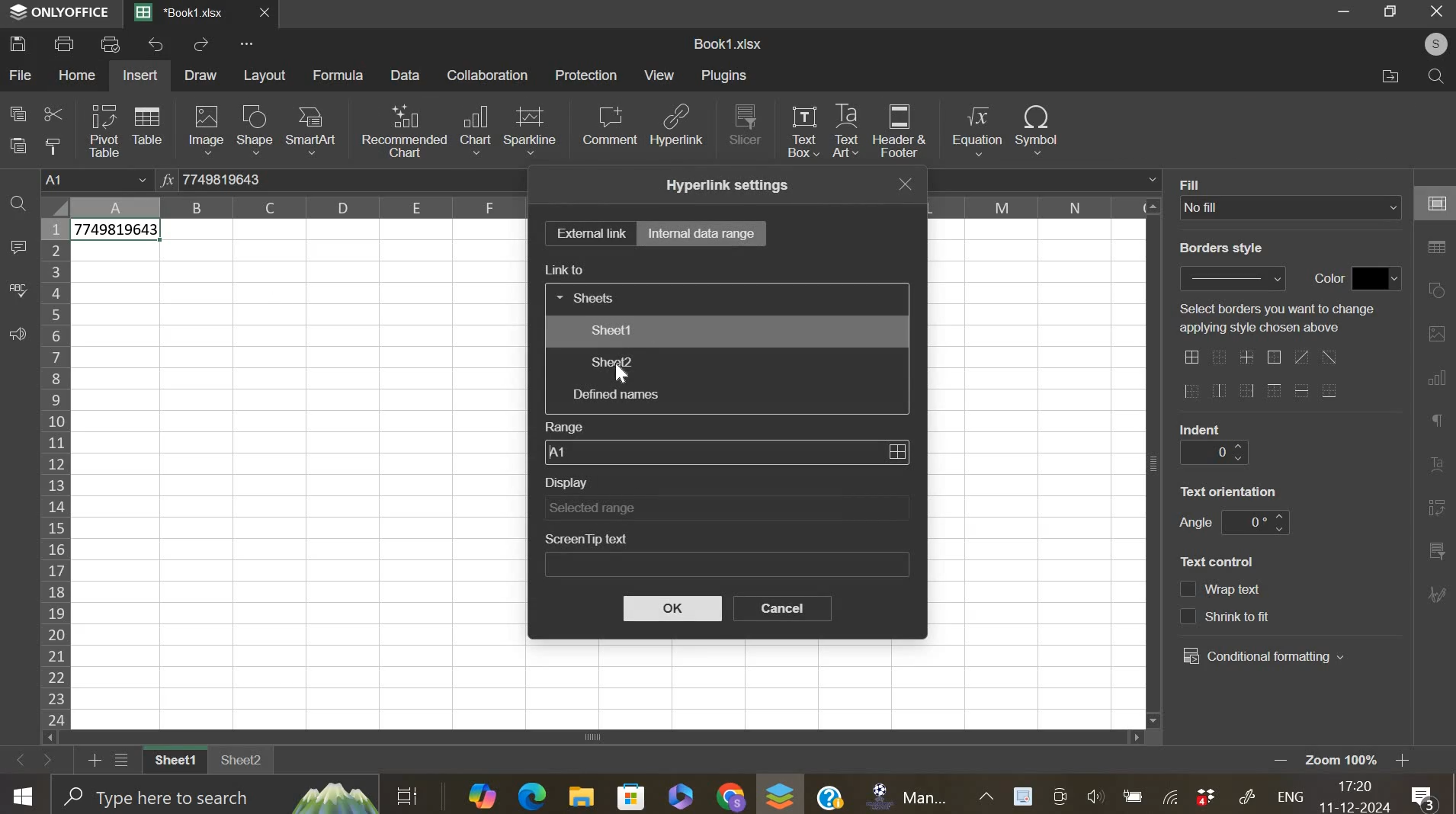 Image resolution: width=1456 pixels, height=814 pixels. What do you see at coordinates (21, 75) in the screenshot?
I see `file` at bounding box center [21, 75].